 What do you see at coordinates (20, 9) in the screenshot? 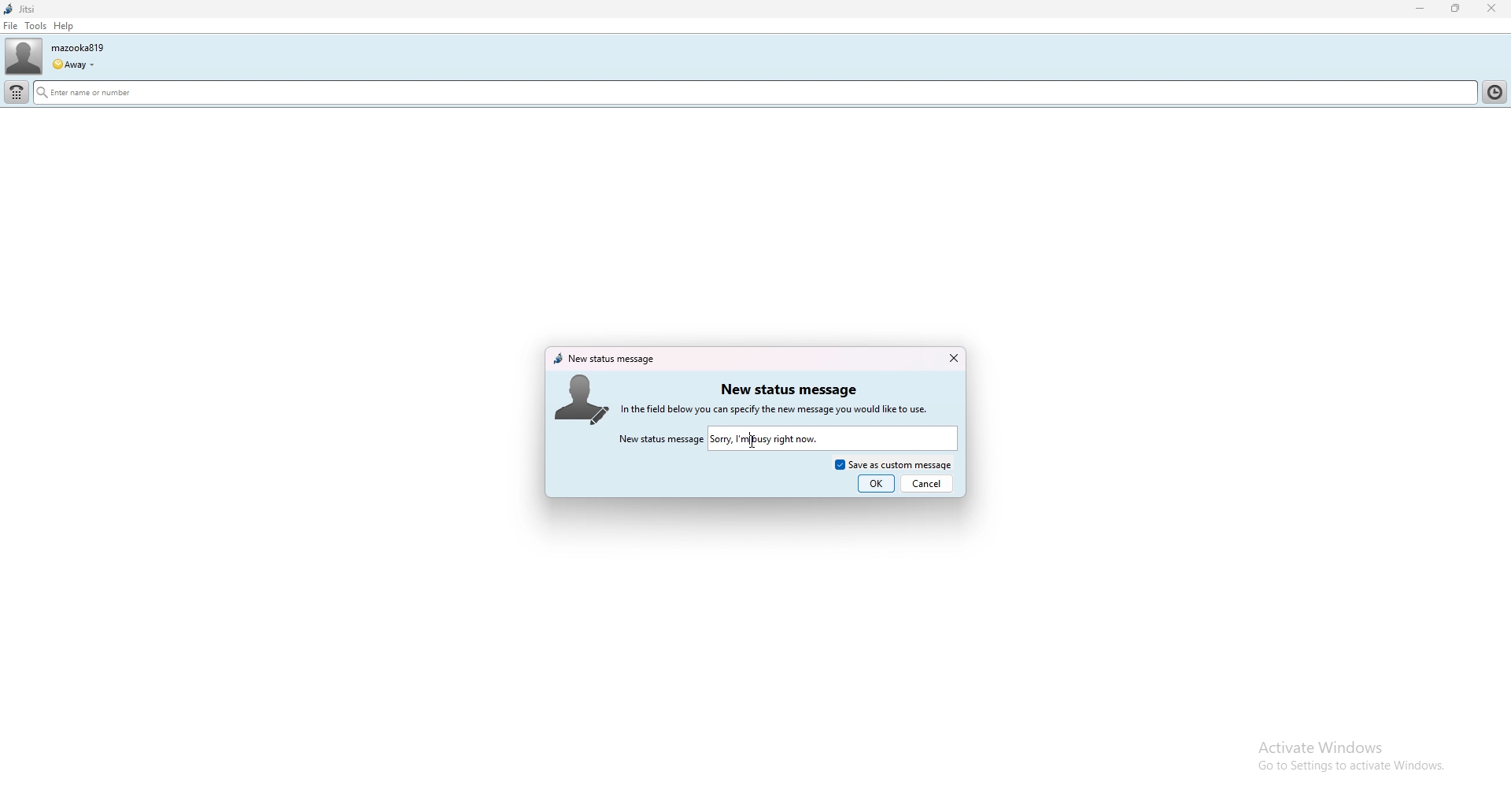
I see `jitsi` at bounding box center [20, 9].